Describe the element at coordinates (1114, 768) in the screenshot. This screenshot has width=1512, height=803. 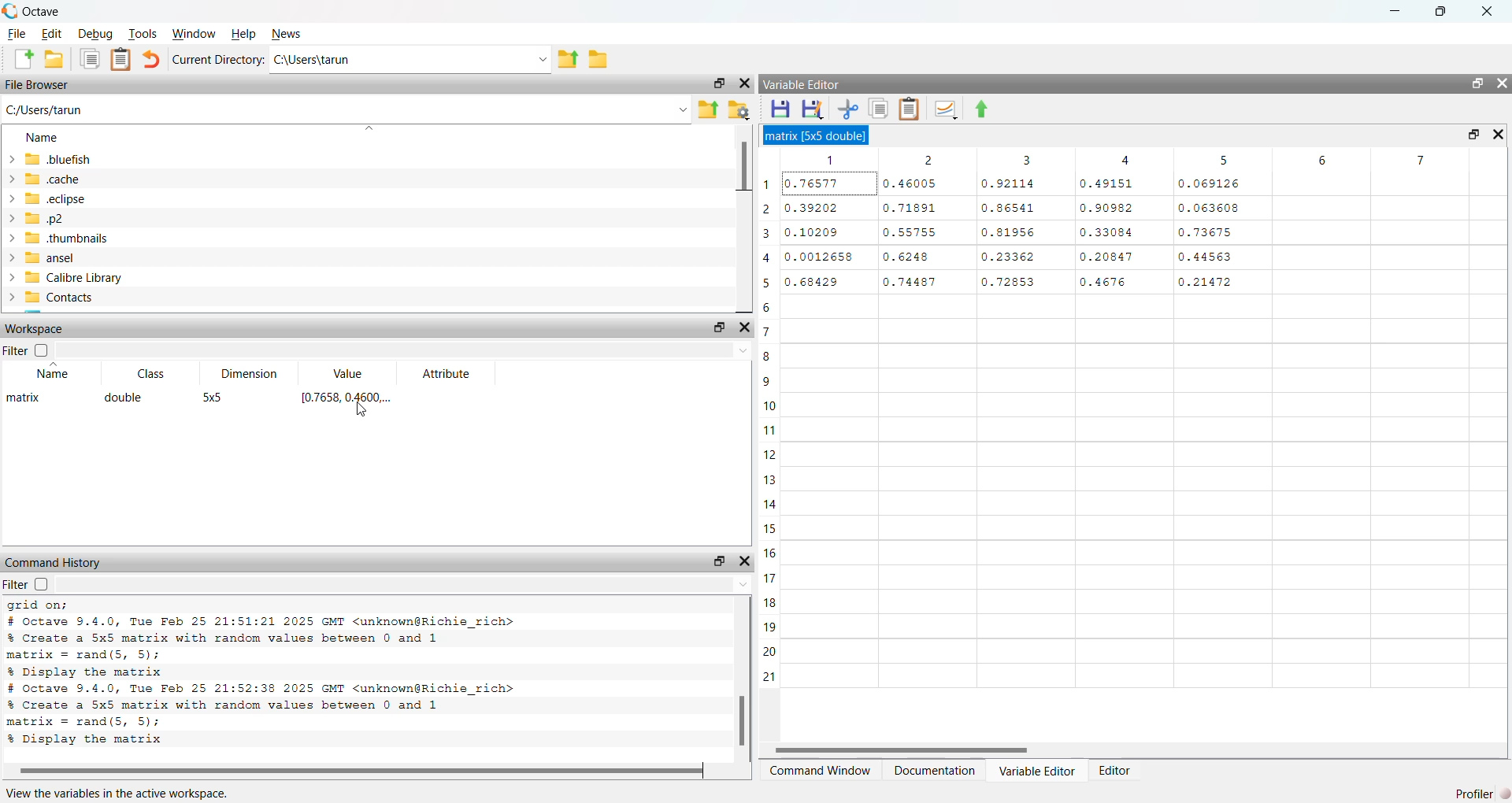
I see `Editor` at that location.